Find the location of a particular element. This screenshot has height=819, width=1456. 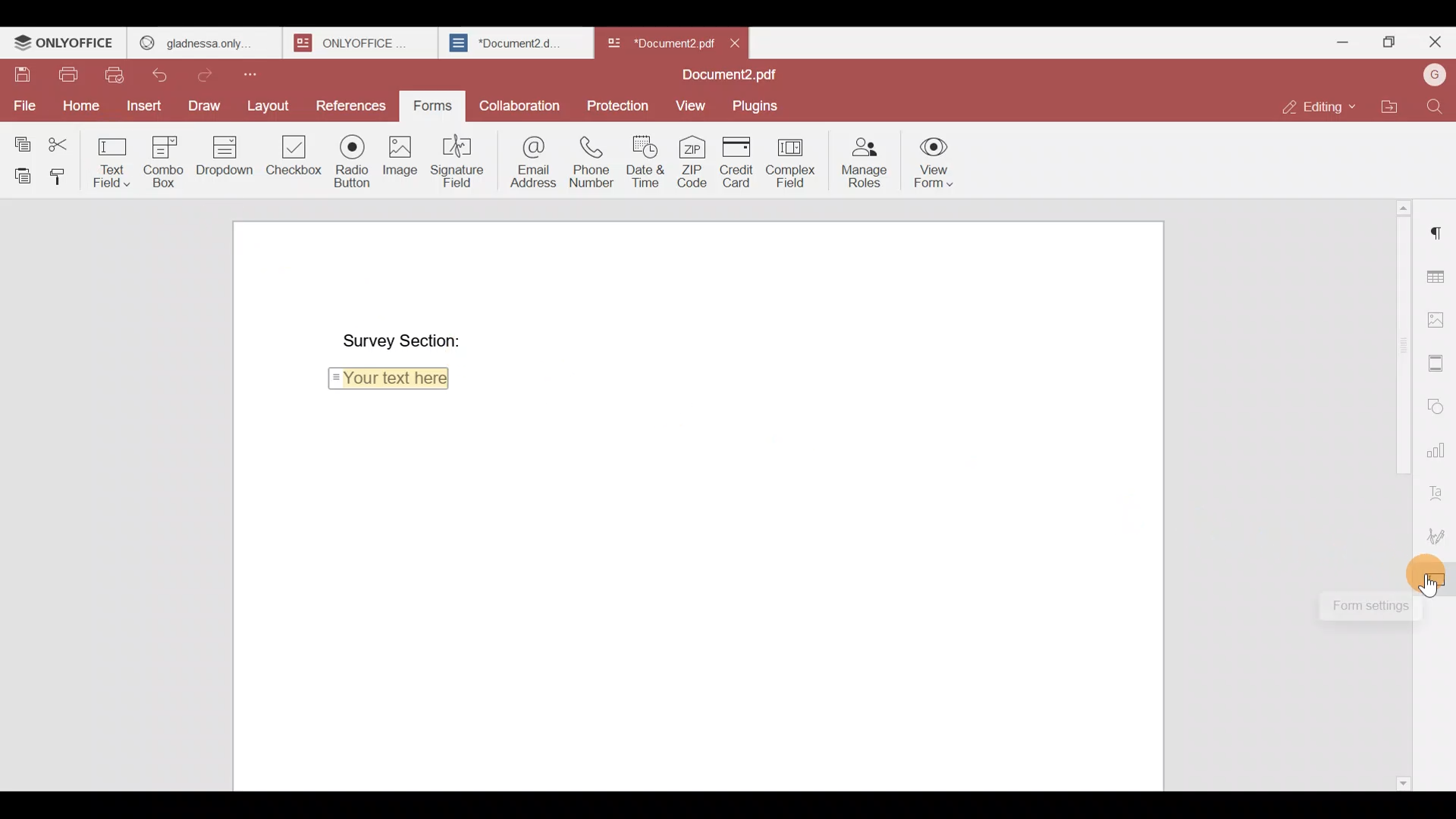

ONLYOFFICE is located at coordinates (64, 42).